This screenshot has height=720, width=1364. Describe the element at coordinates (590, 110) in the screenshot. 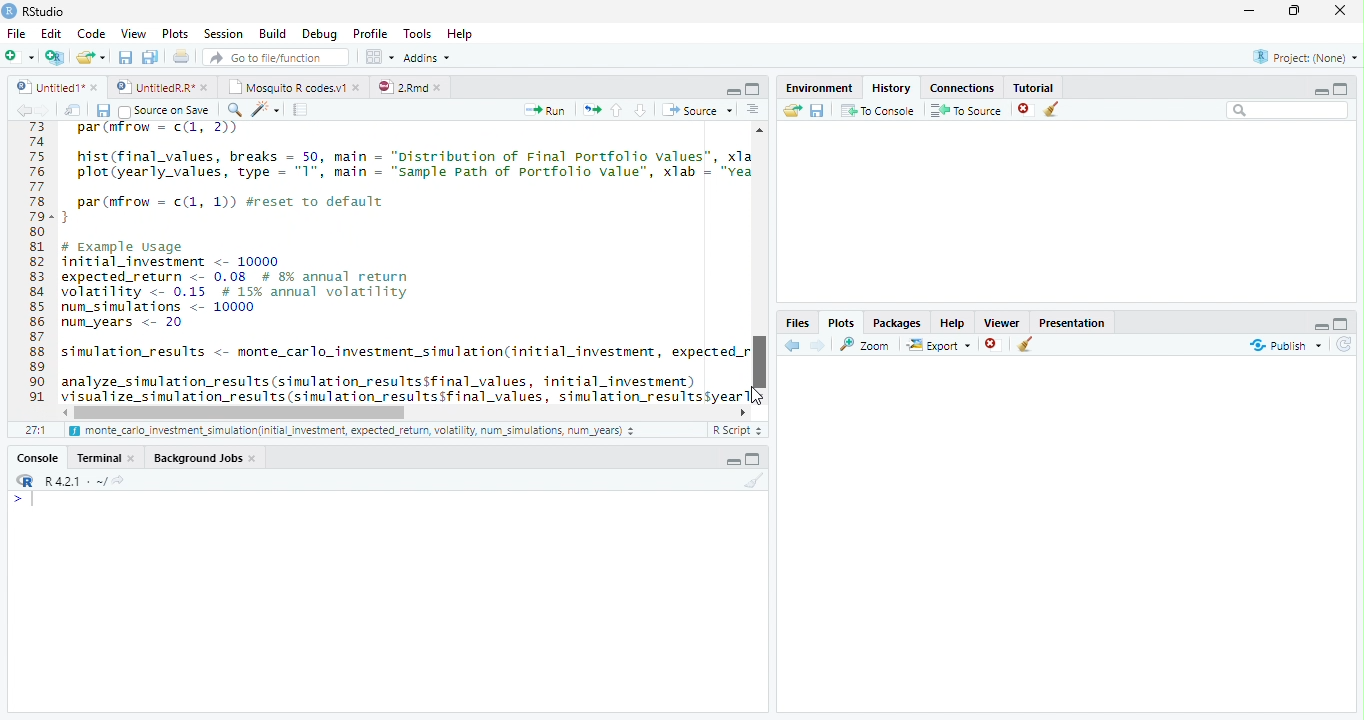

I see `Re-run the previous code region` at that location.